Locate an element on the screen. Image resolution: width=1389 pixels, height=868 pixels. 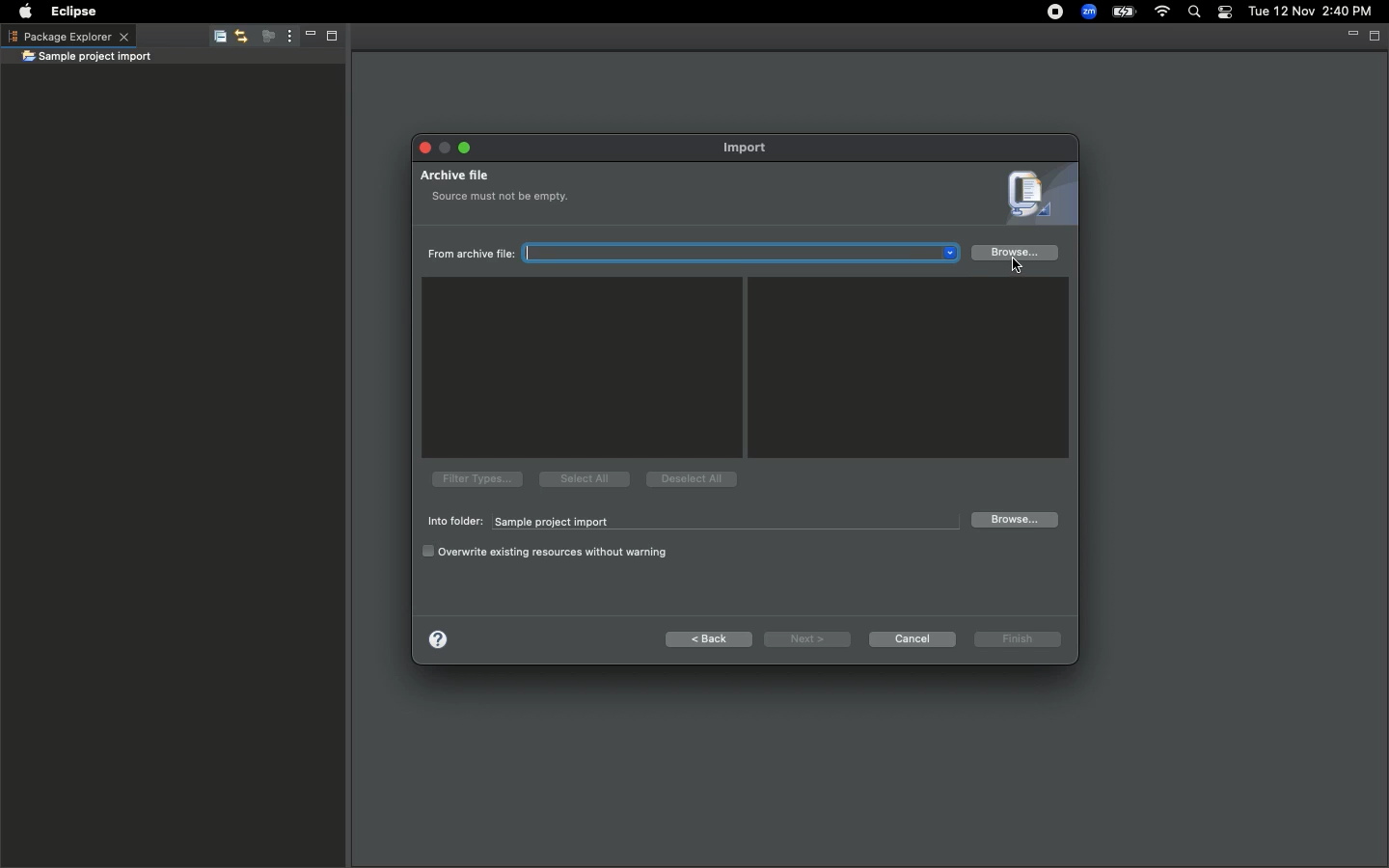
Apple logo is located at coordinates (25, 10).